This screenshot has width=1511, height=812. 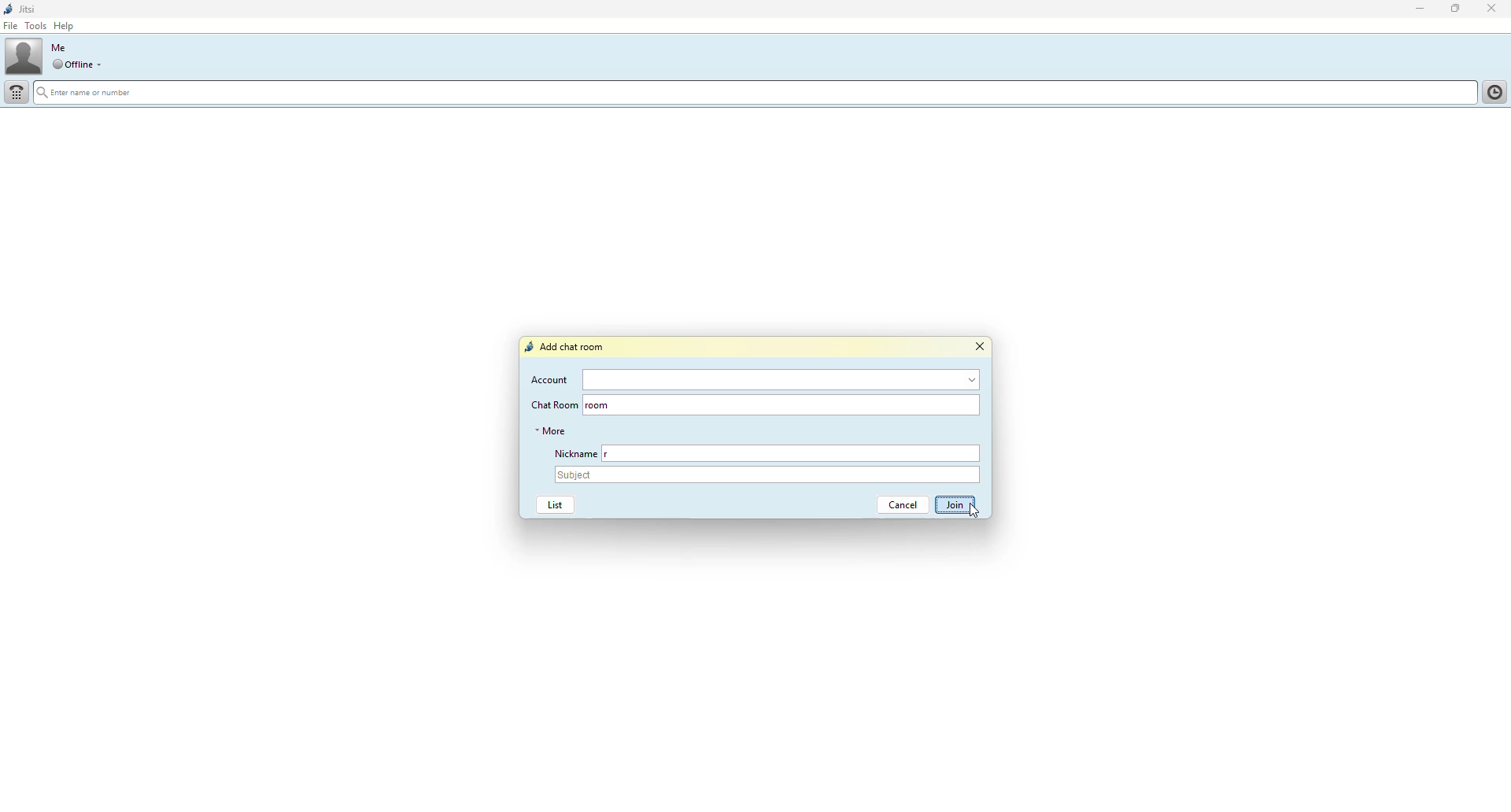 I want to click on chat room, so click(x=552, y=404).